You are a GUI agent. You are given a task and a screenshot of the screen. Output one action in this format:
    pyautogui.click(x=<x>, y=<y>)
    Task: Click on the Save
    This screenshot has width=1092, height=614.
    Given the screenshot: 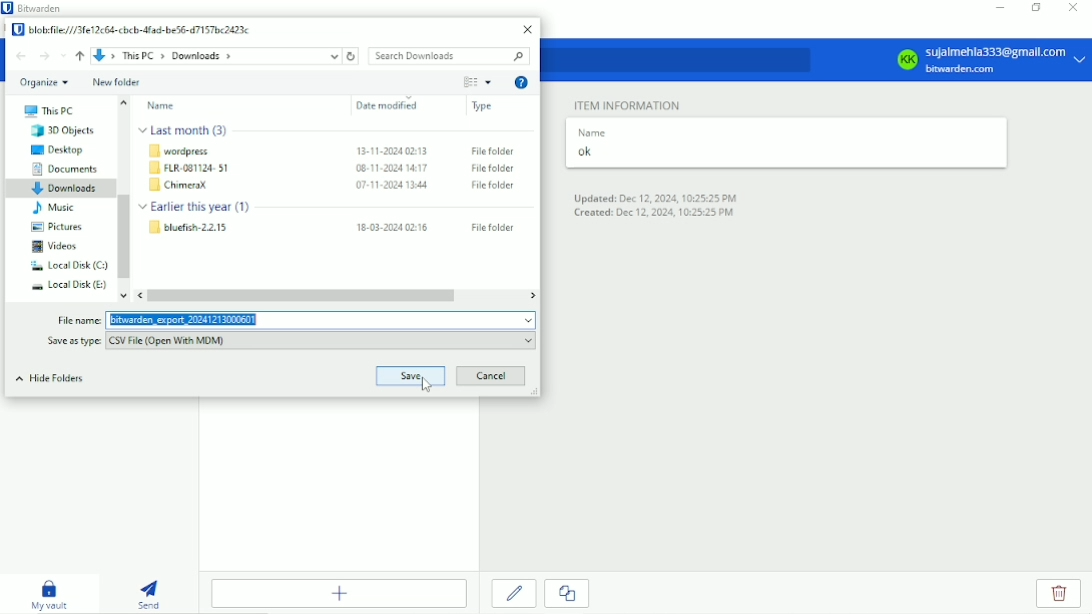 What is the action you would take?
    pyautogui.click(x=411, y=374)
    